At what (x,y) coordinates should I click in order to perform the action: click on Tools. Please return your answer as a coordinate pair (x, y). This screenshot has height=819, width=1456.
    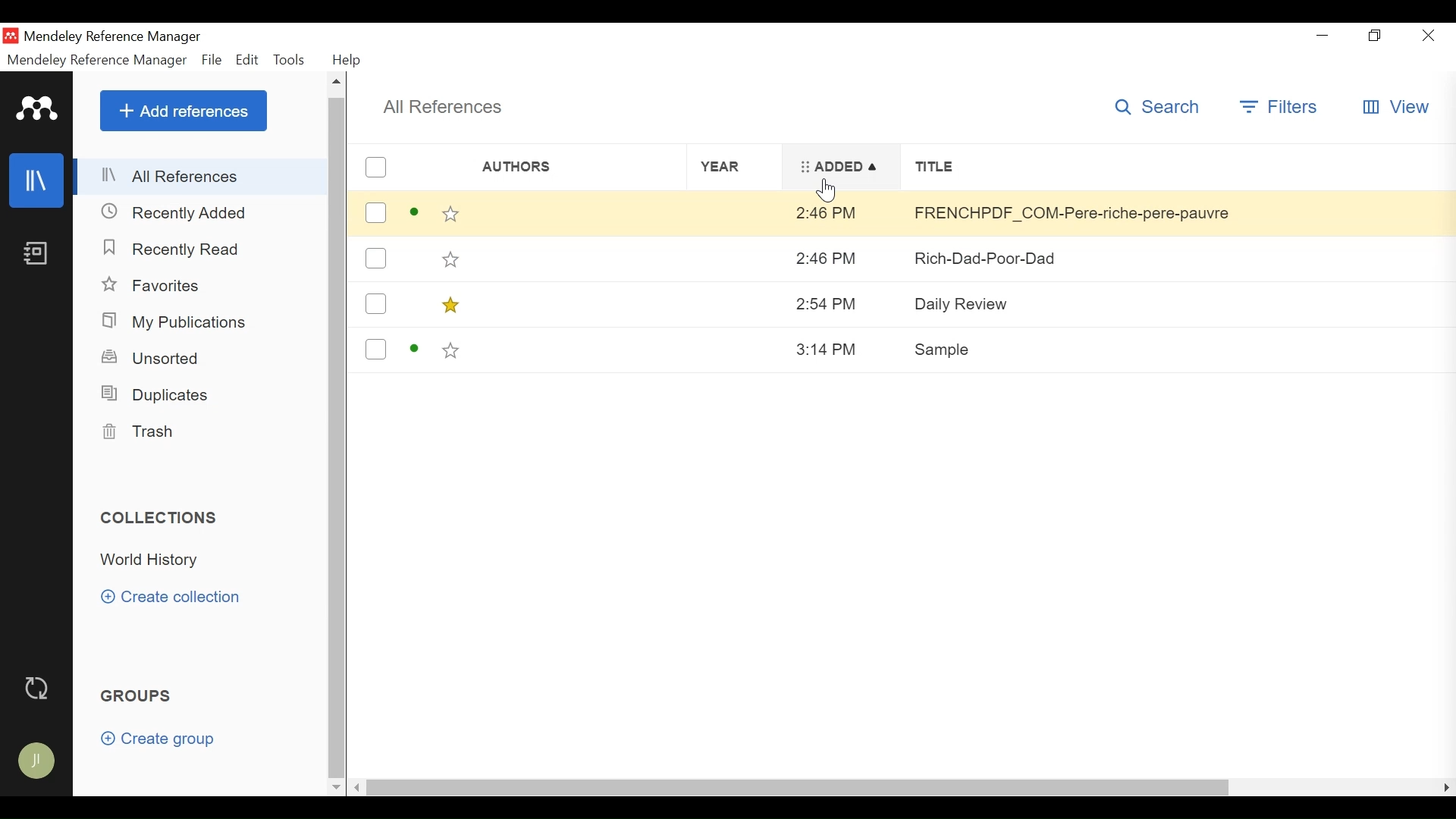
    Looking at the image, I should click on (290, 60).